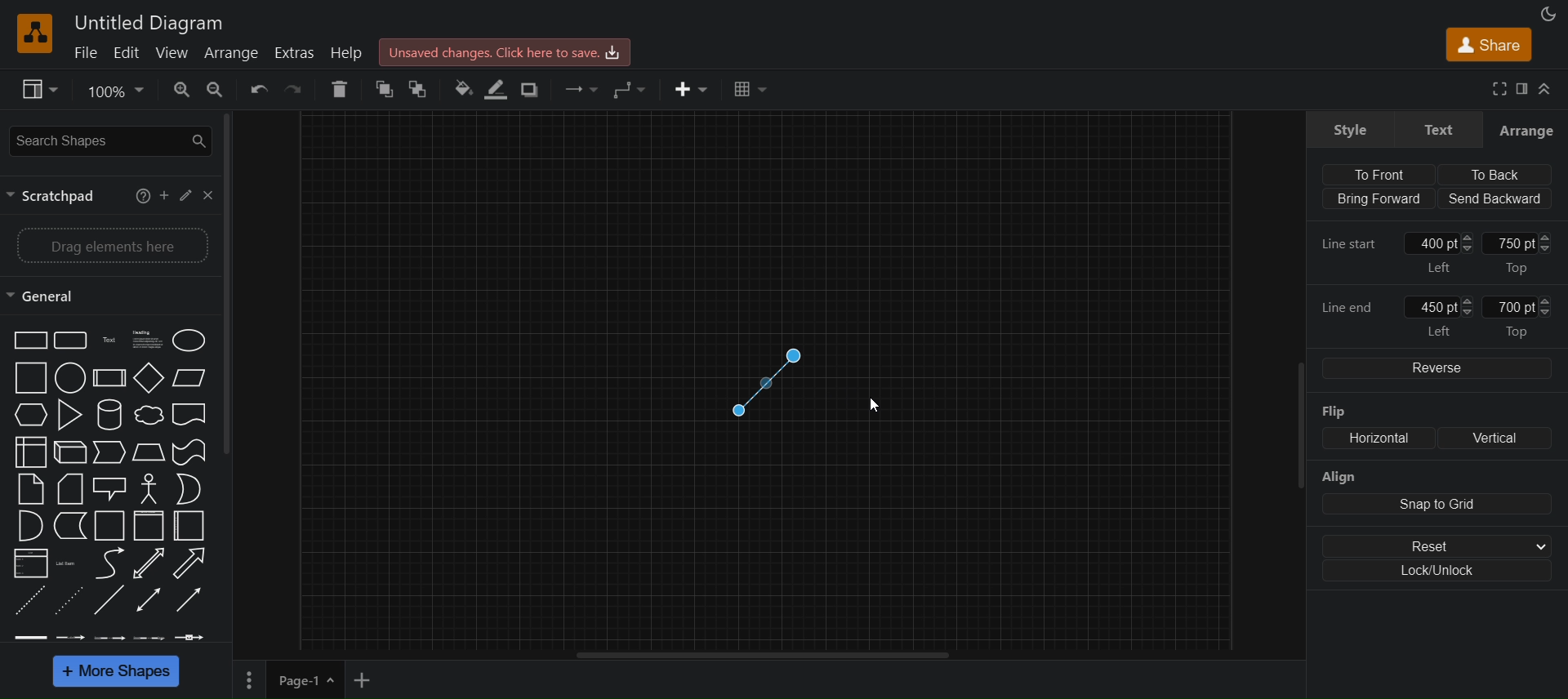 The height and width of the screenshot is (699, 1568). What do you see at coordinates (137, 194) in the screenshot?
I see `help` at bounding box center [137, 194].